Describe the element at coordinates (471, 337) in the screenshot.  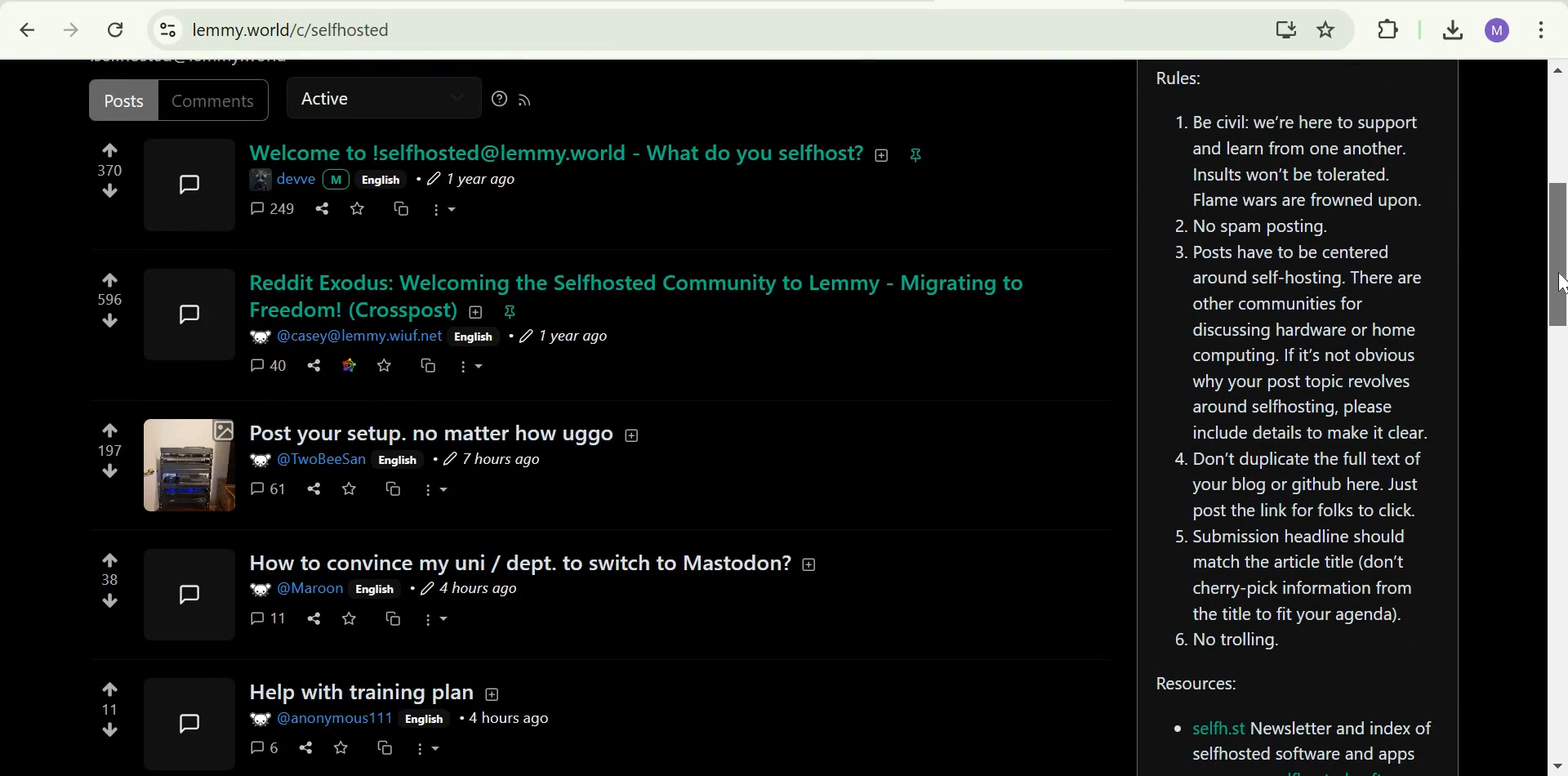
I see `English` at that location.